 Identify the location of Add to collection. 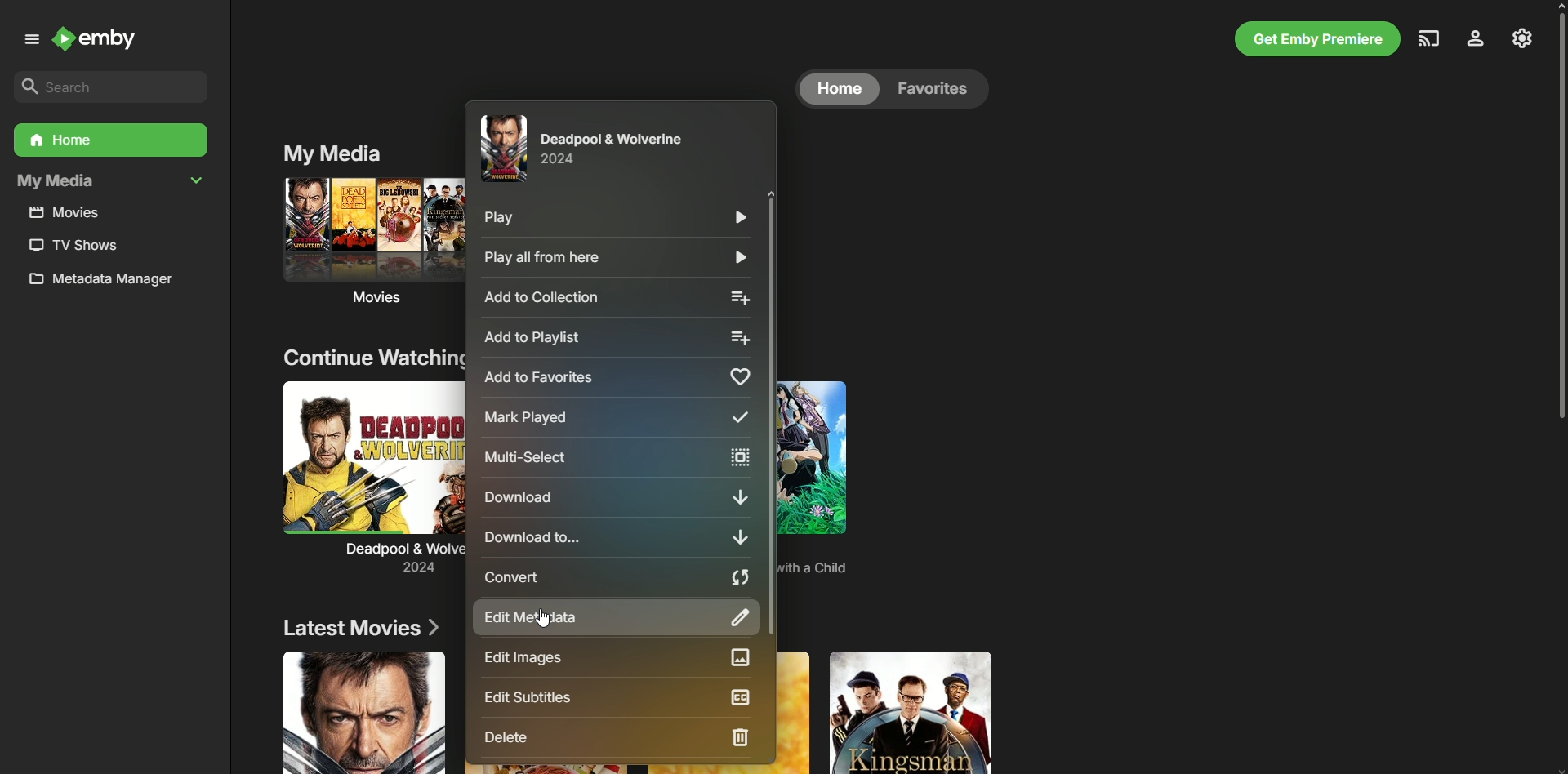
(616, 297).